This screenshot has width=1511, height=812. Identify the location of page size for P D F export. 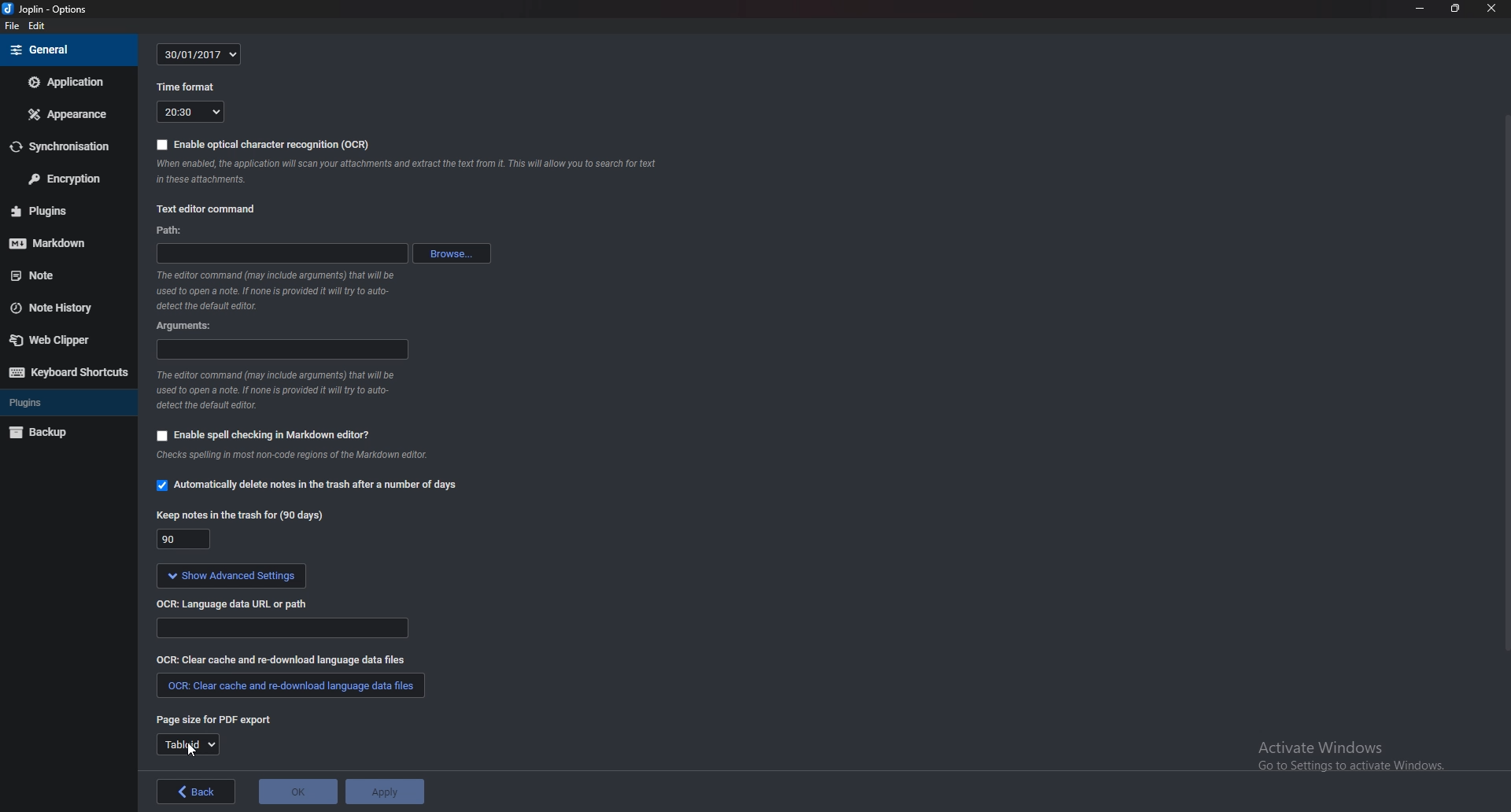
(216, 721).